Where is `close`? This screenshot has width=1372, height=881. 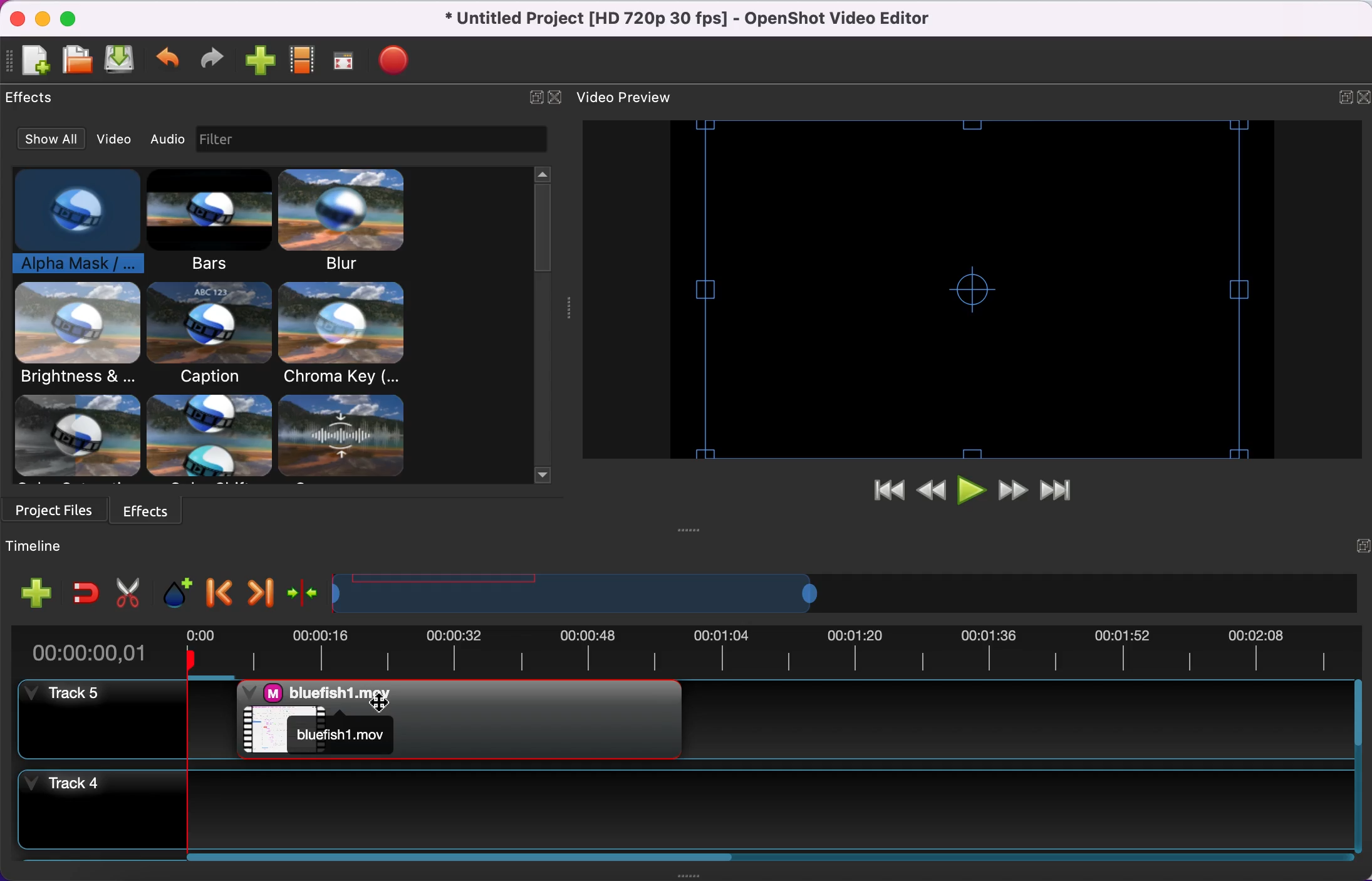 close is located at coordinates (556, 100).